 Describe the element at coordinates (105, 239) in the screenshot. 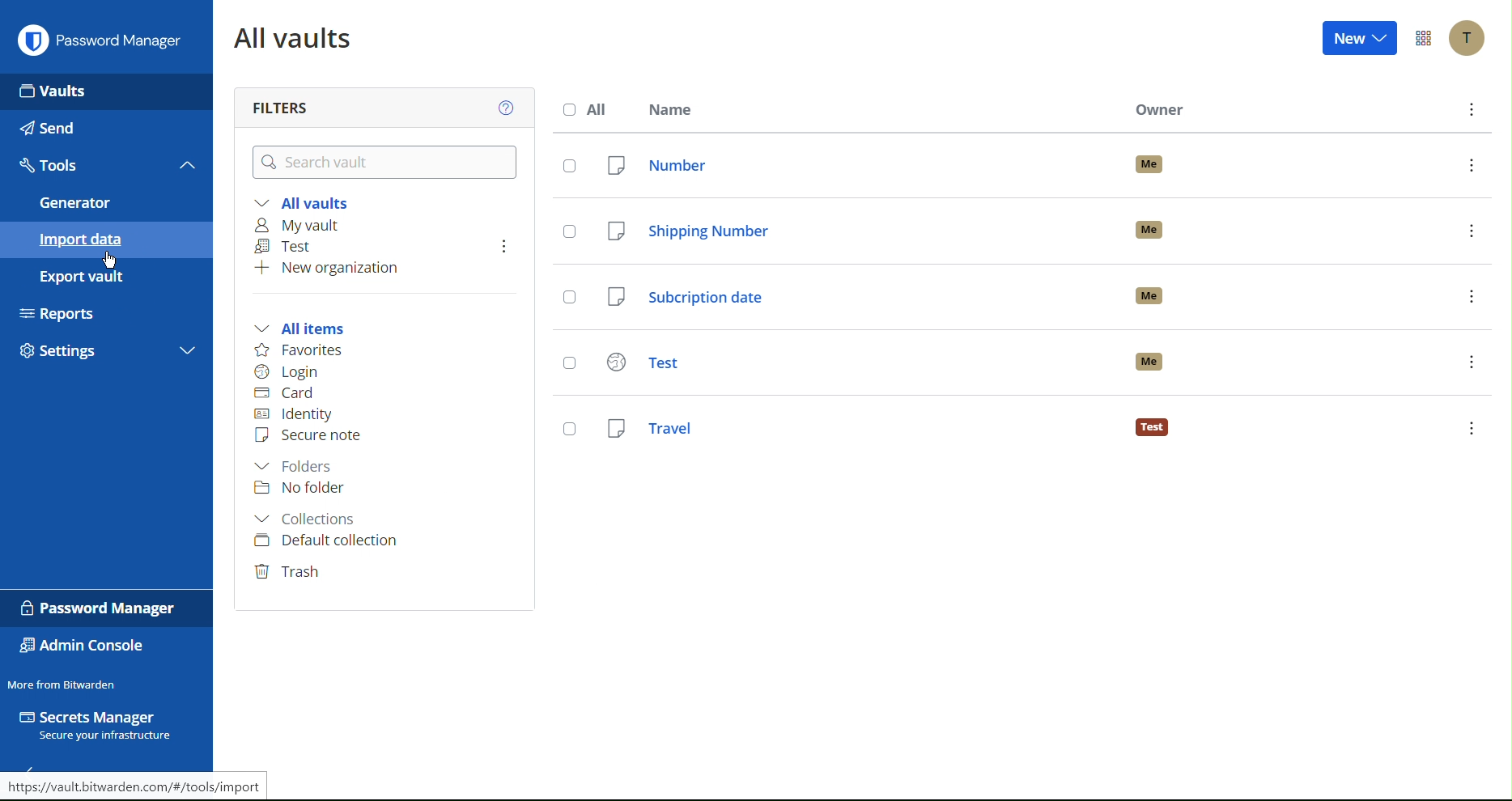

I see `Import data` at that location.